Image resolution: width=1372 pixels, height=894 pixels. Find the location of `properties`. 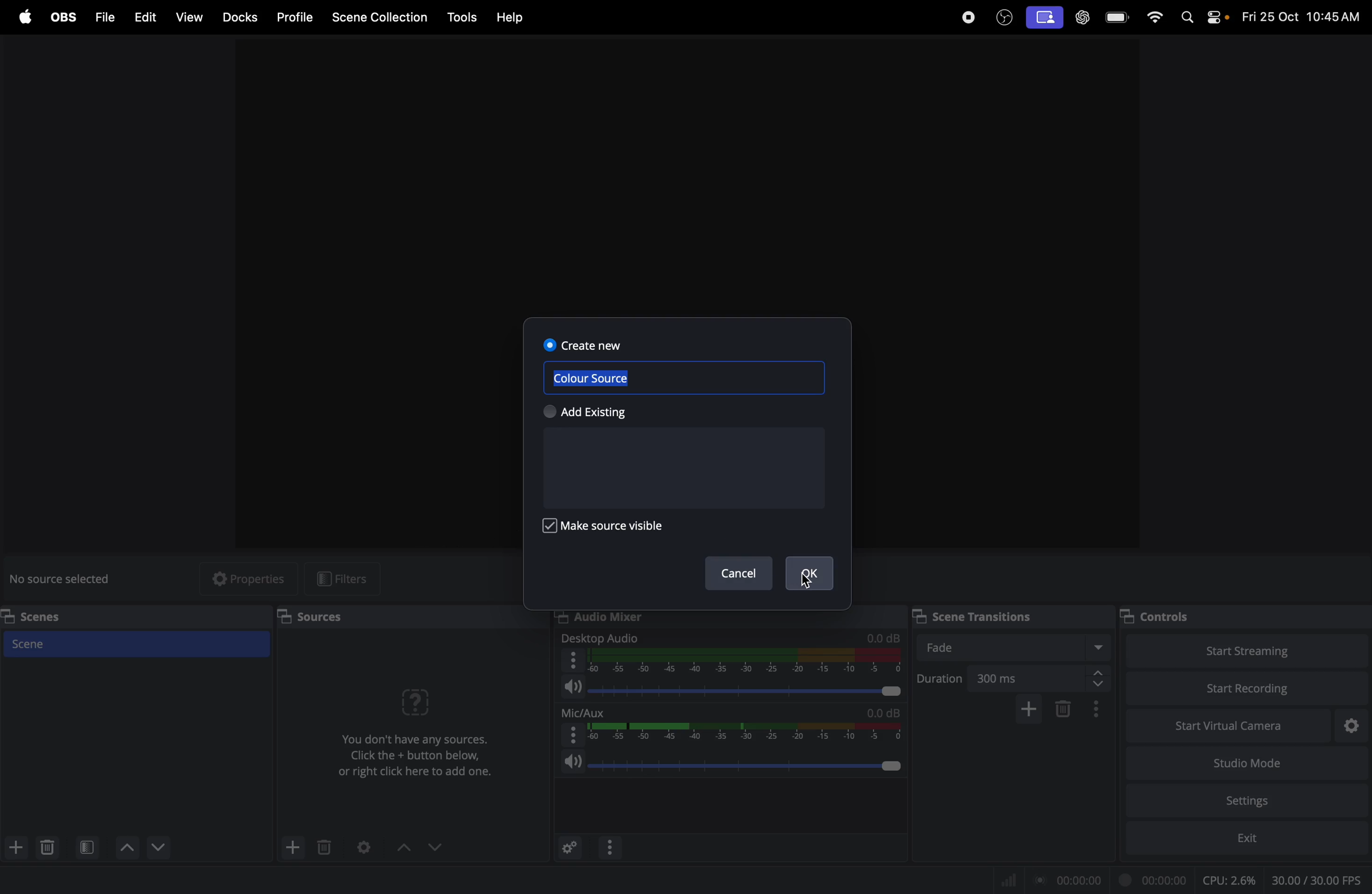

properties is located at coordinates (241, 579).